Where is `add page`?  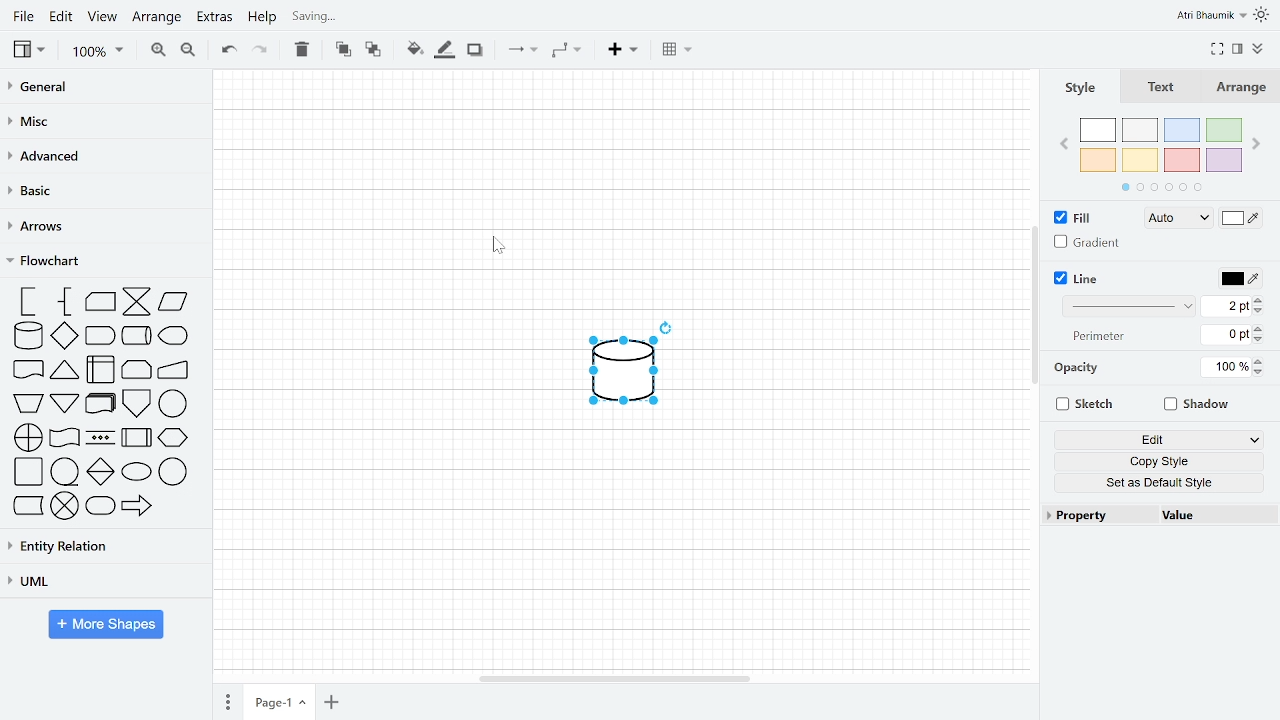
add page is located at coordinates (333, 702).